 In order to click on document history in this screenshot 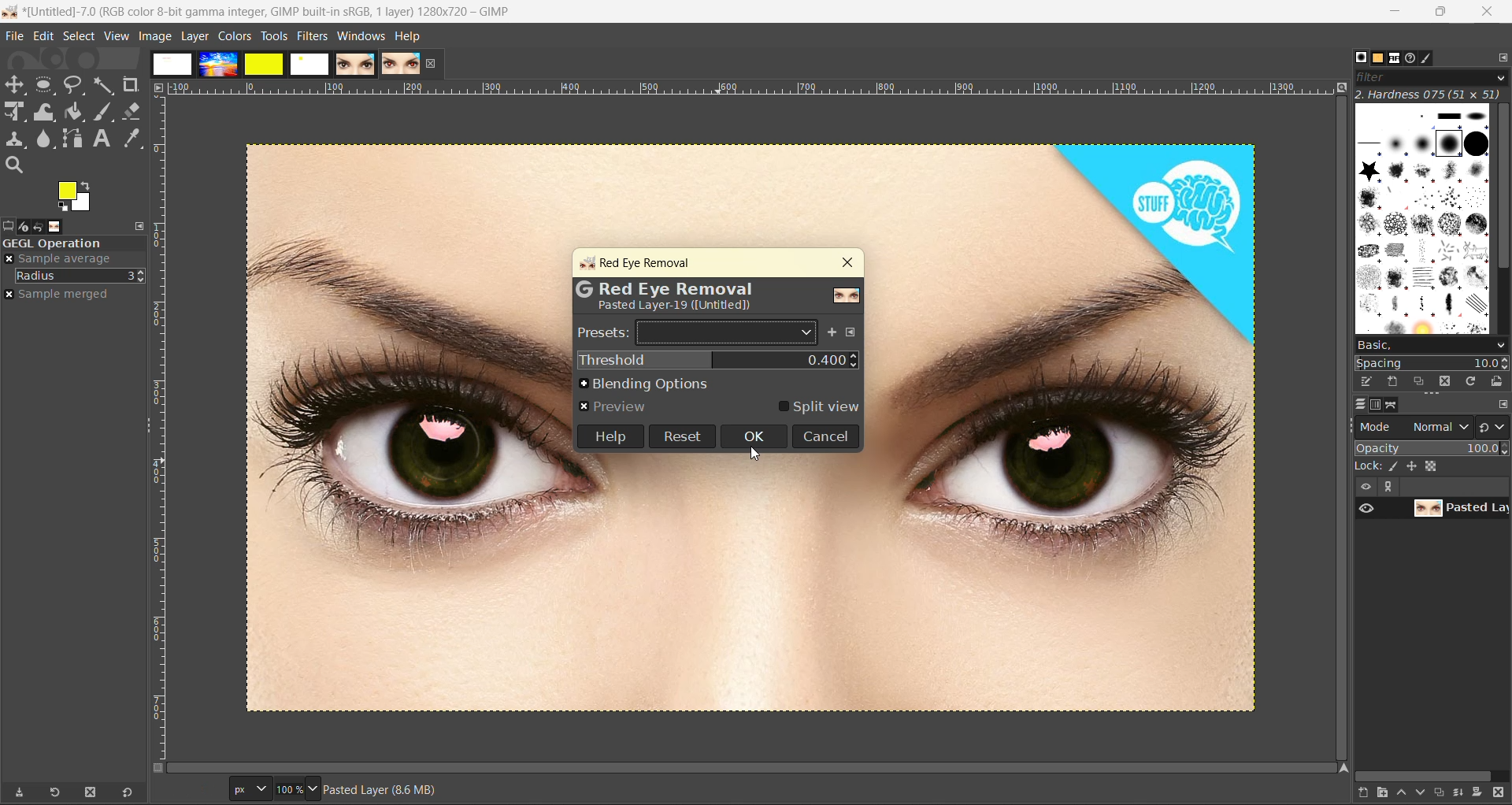, I will do `click(1412, 58)`.